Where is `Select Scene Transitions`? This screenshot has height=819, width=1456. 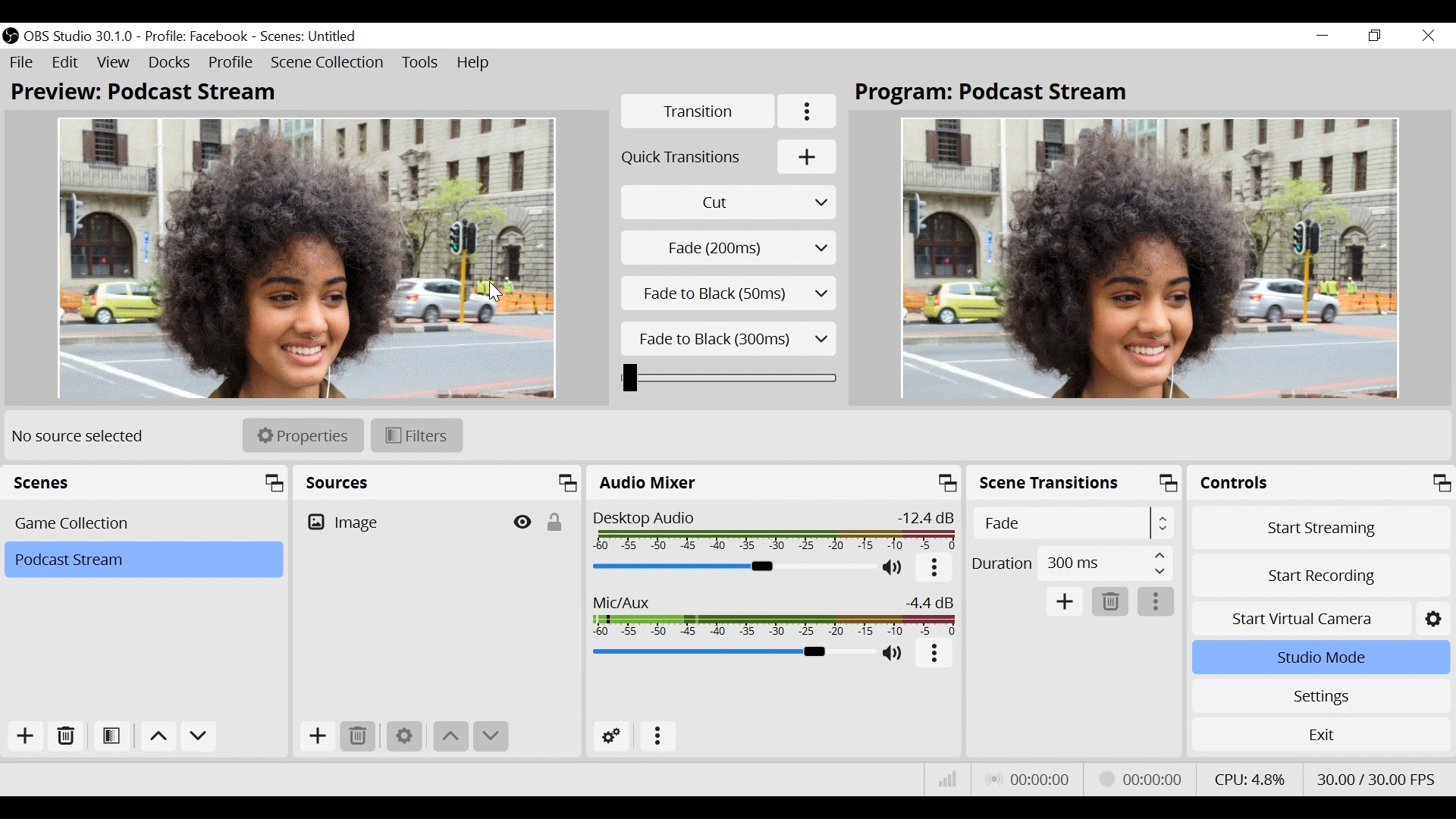
Select Scene Transitions is located at coordinates (1075, 522).